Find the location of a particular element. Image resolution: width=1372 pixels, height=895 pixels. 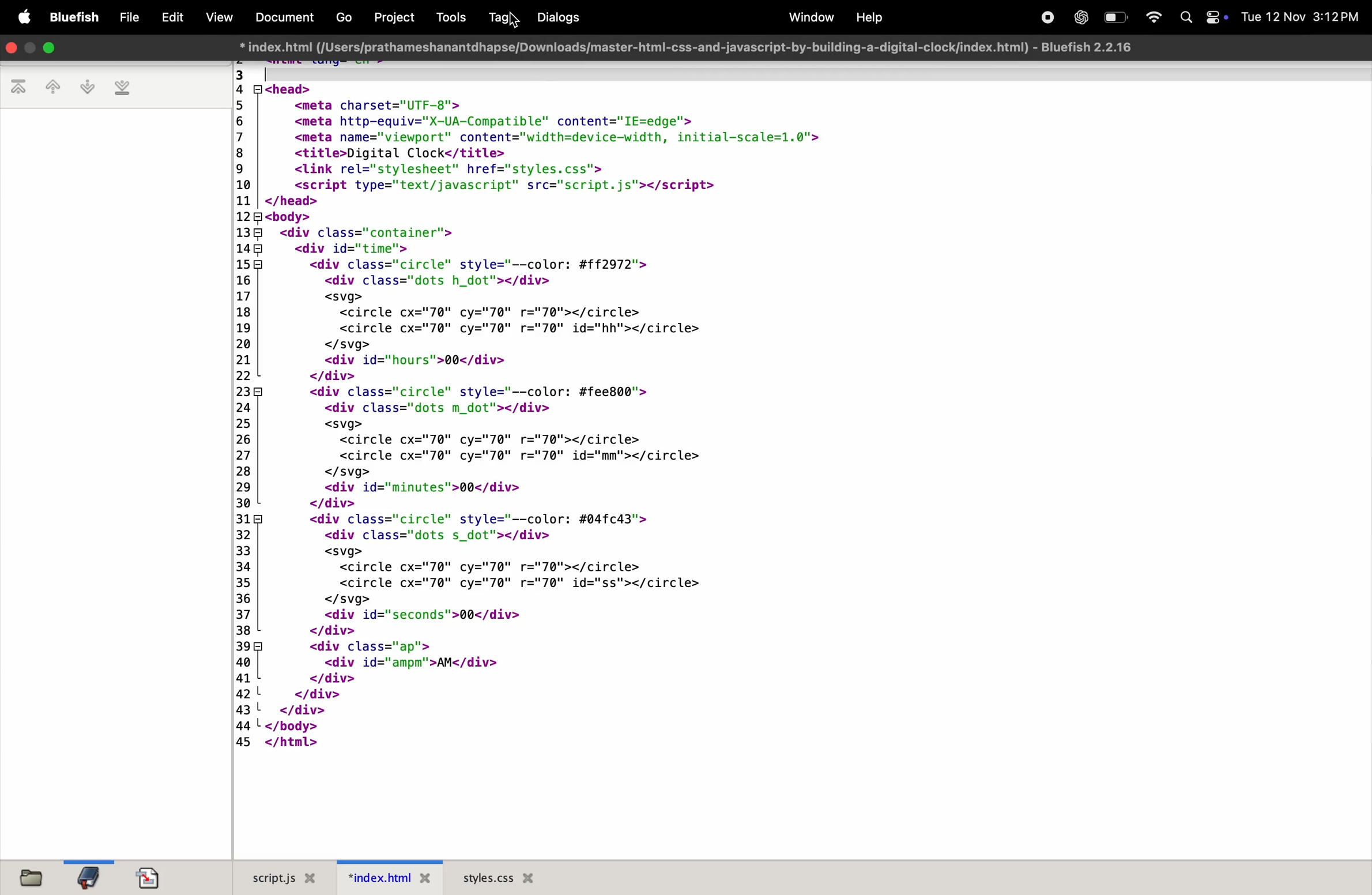

wifi is located at coordinates (1149, 17).